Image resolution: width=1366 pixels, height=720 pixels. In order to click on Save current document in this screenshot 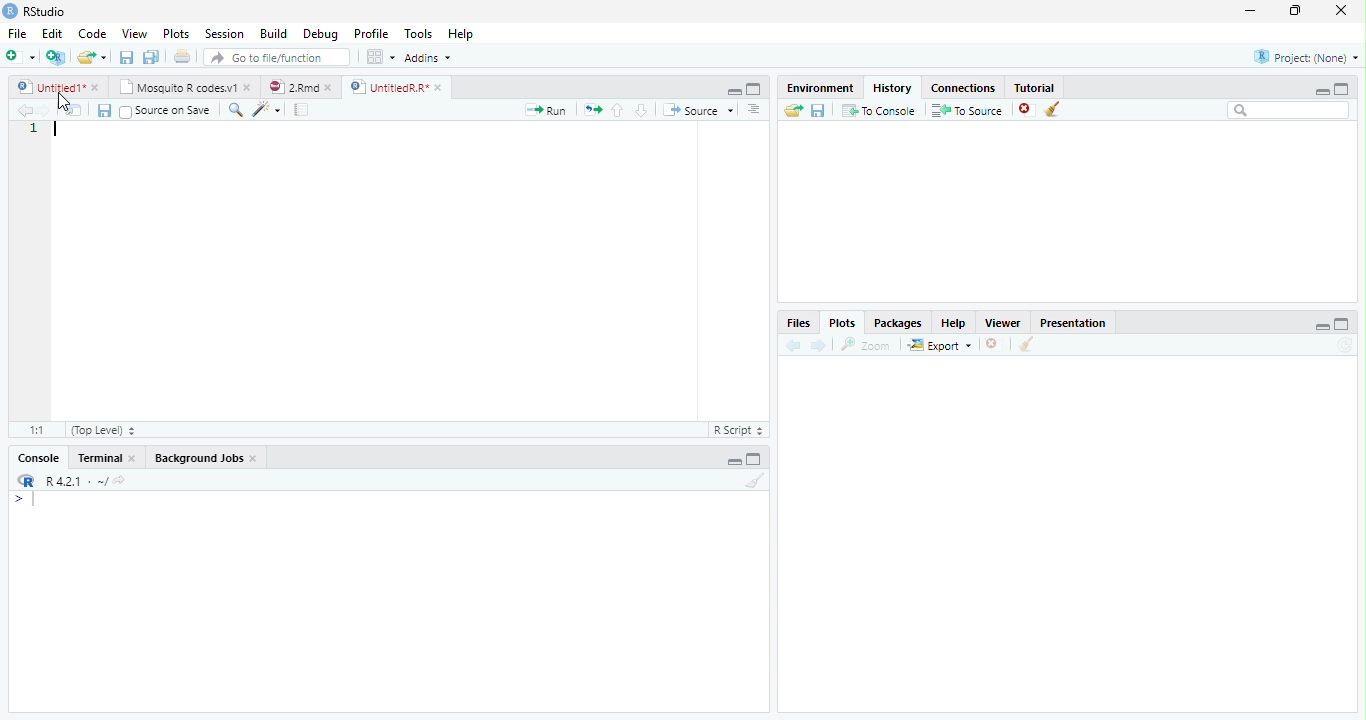, I will do `click(103, 110)`.